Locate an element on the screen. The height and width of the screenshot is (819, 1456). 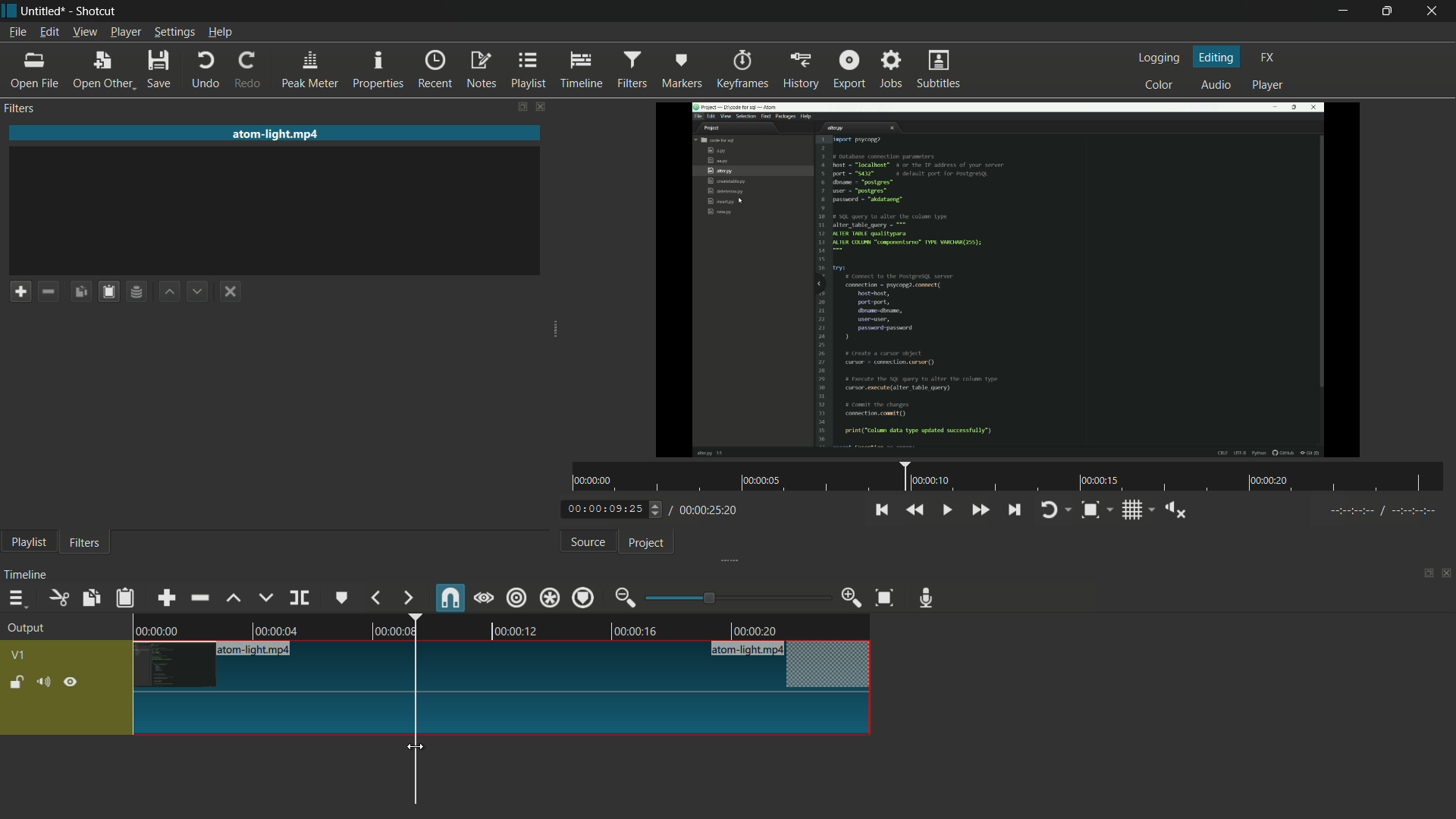
lock is located at coordinates (17, 683).